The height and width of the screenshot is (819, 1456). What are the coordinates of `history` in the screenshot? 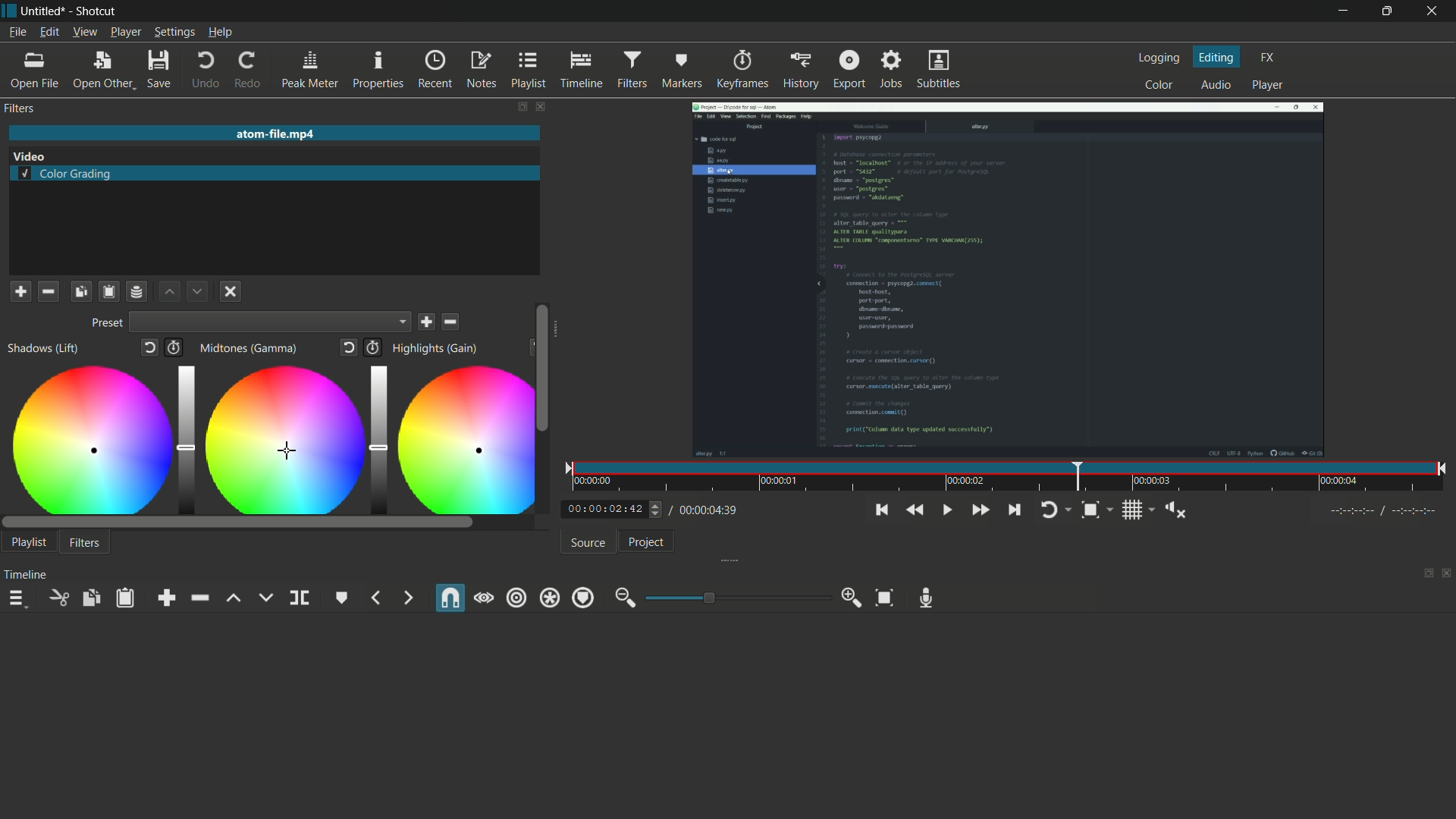 It's located at (800, 69).